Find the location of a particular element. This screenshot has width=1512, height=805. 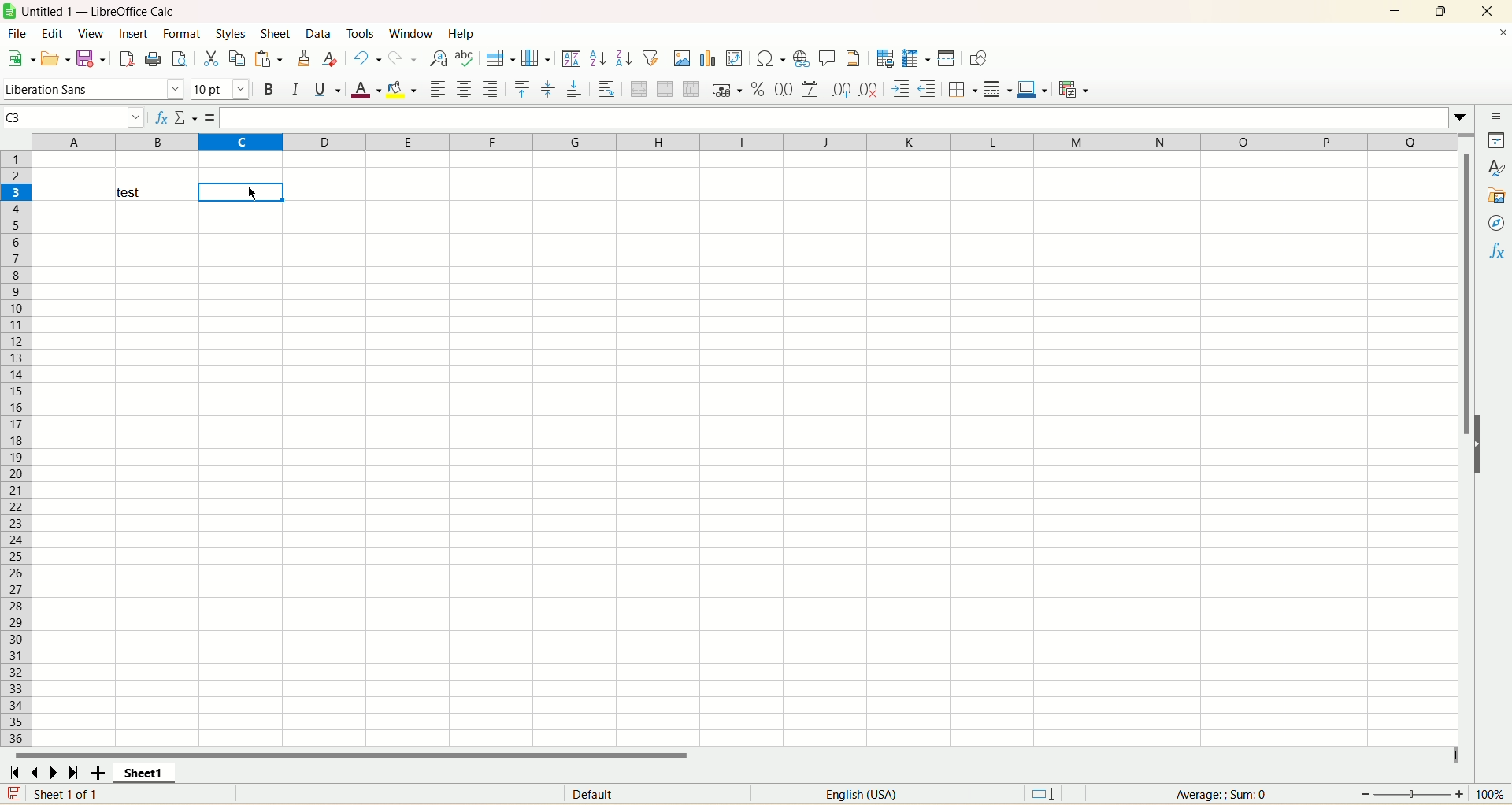

export as pdf is located at coordinates (125, 59).